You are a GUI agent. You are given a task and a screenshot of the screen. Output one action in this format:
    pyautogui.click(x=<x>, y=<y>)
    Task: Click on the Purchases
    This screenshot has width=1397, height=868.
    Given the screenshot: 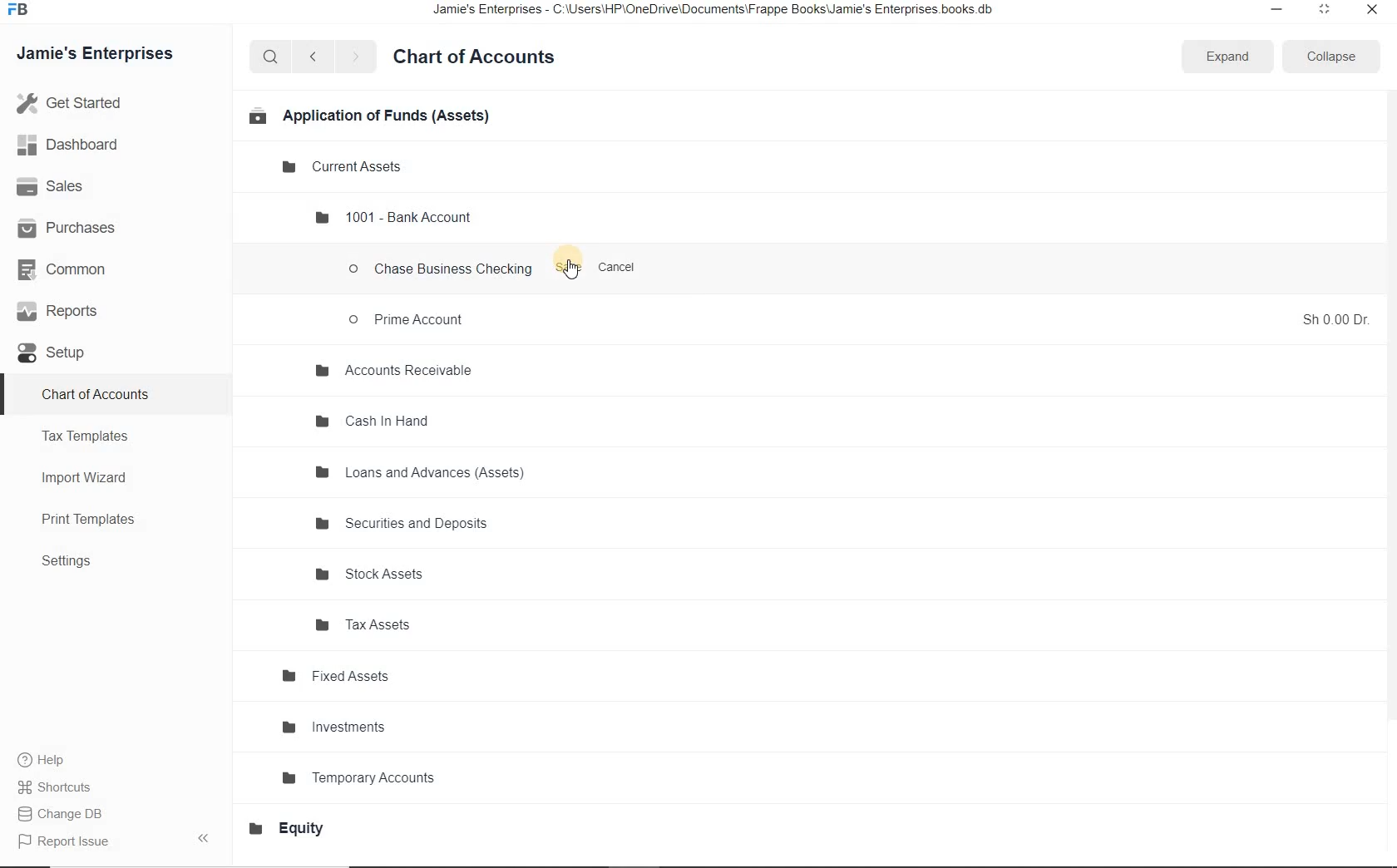 What is the action you would take?
    pyautogui.click(x=75, y=227)
    